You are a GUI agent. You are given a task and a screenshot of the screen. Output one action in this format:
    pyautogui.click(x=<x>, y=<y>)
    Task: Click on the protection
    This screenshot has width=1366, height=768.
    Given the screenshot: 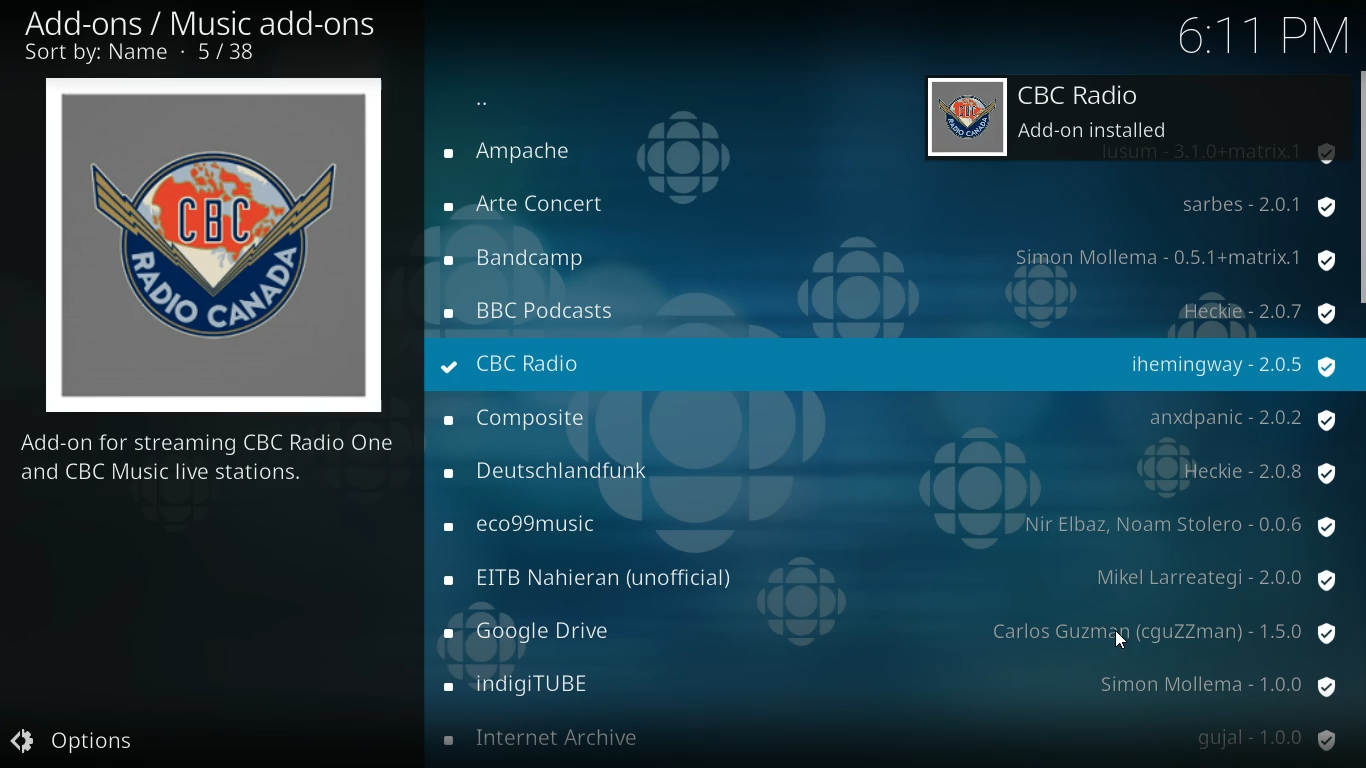 What is the action you would take?
    pyautogui.click(x=1167, y=528)
    